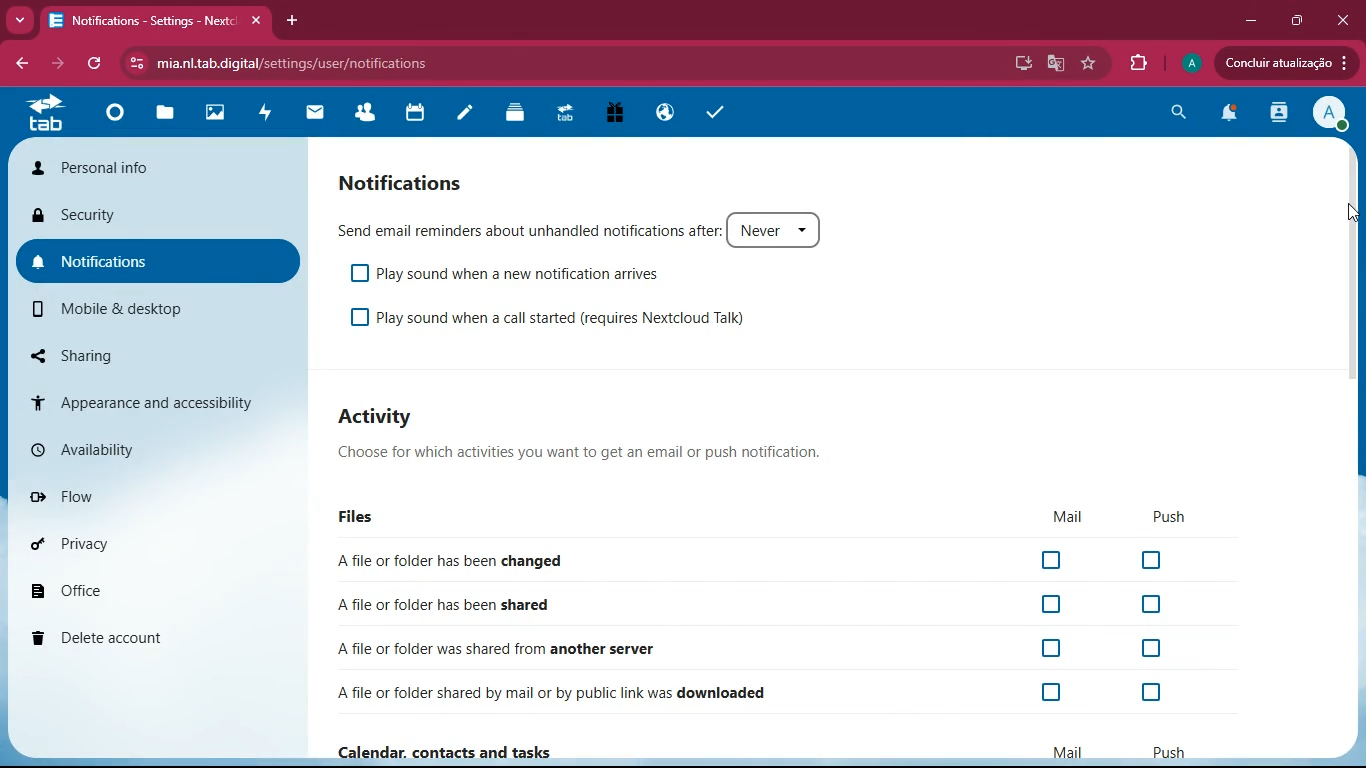 The height and width of the screenshot is (768, 1366). What do you see at coordinates (577, 690) in the screenshot?
I see `A file or folder shared by mail or by public link was downloaded` at bounding box center [577, 690].